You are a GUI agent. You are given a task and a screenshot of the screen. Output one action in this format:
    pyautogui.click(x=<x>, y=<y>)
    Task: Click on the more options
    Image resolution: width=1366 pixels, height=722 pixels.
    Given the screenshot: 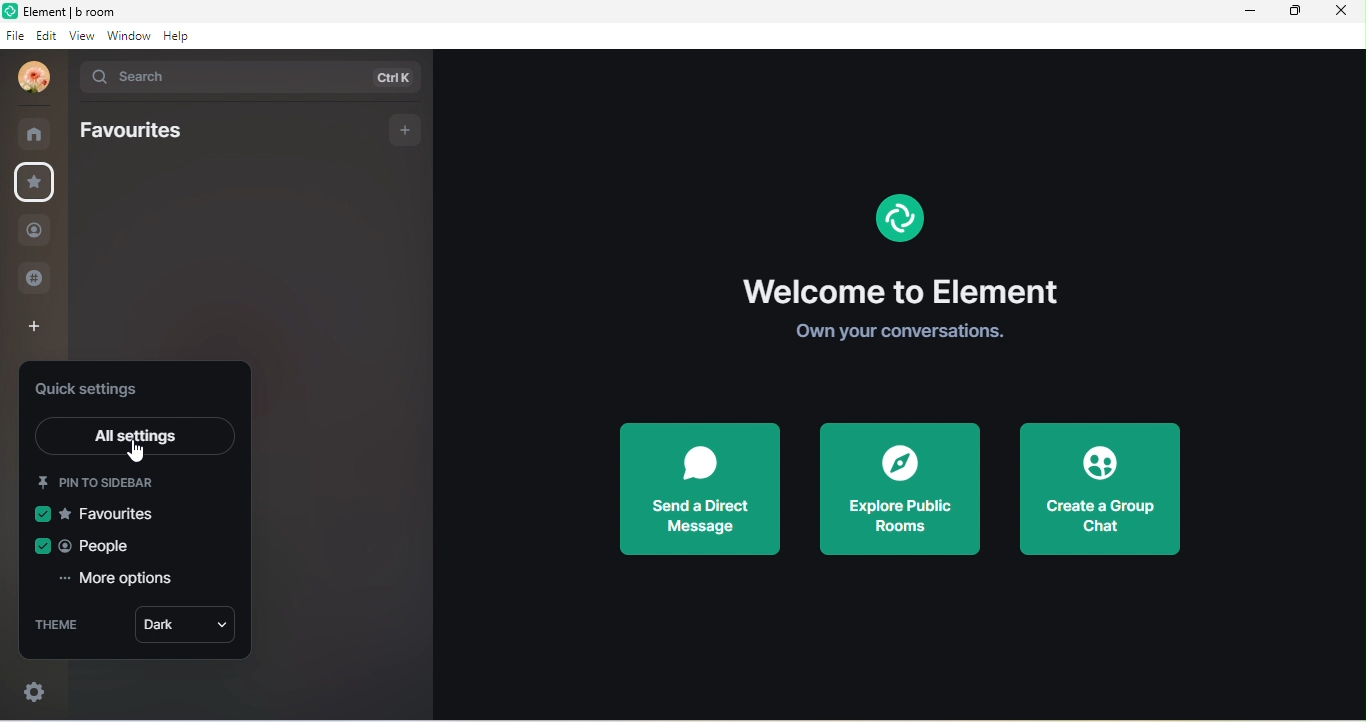 What is the action you would take?
    pyautogui.click(x=117, y=580)
    